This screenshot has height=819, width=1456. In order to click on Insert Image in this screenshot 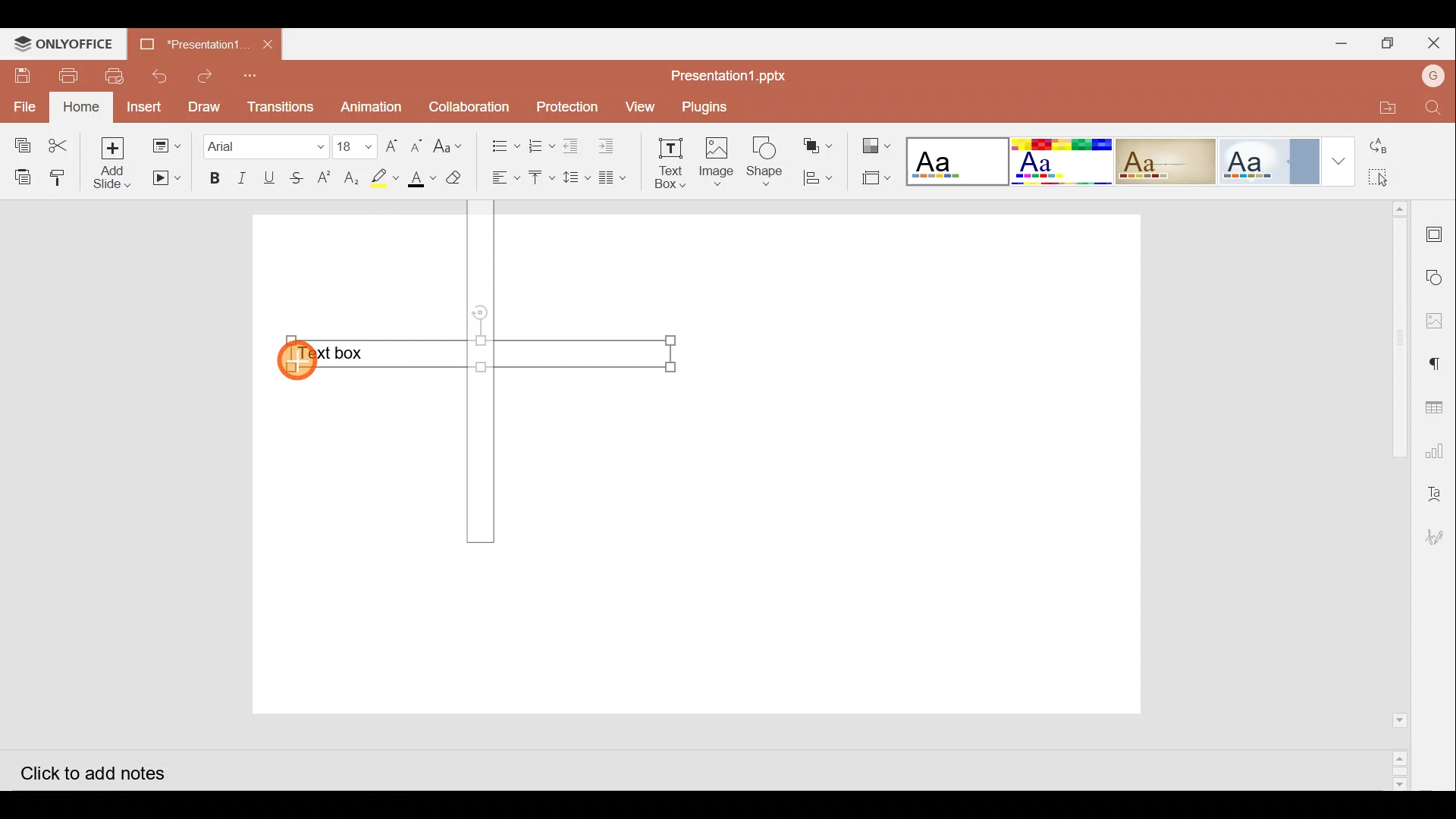, I will do `click(715, 162)`.